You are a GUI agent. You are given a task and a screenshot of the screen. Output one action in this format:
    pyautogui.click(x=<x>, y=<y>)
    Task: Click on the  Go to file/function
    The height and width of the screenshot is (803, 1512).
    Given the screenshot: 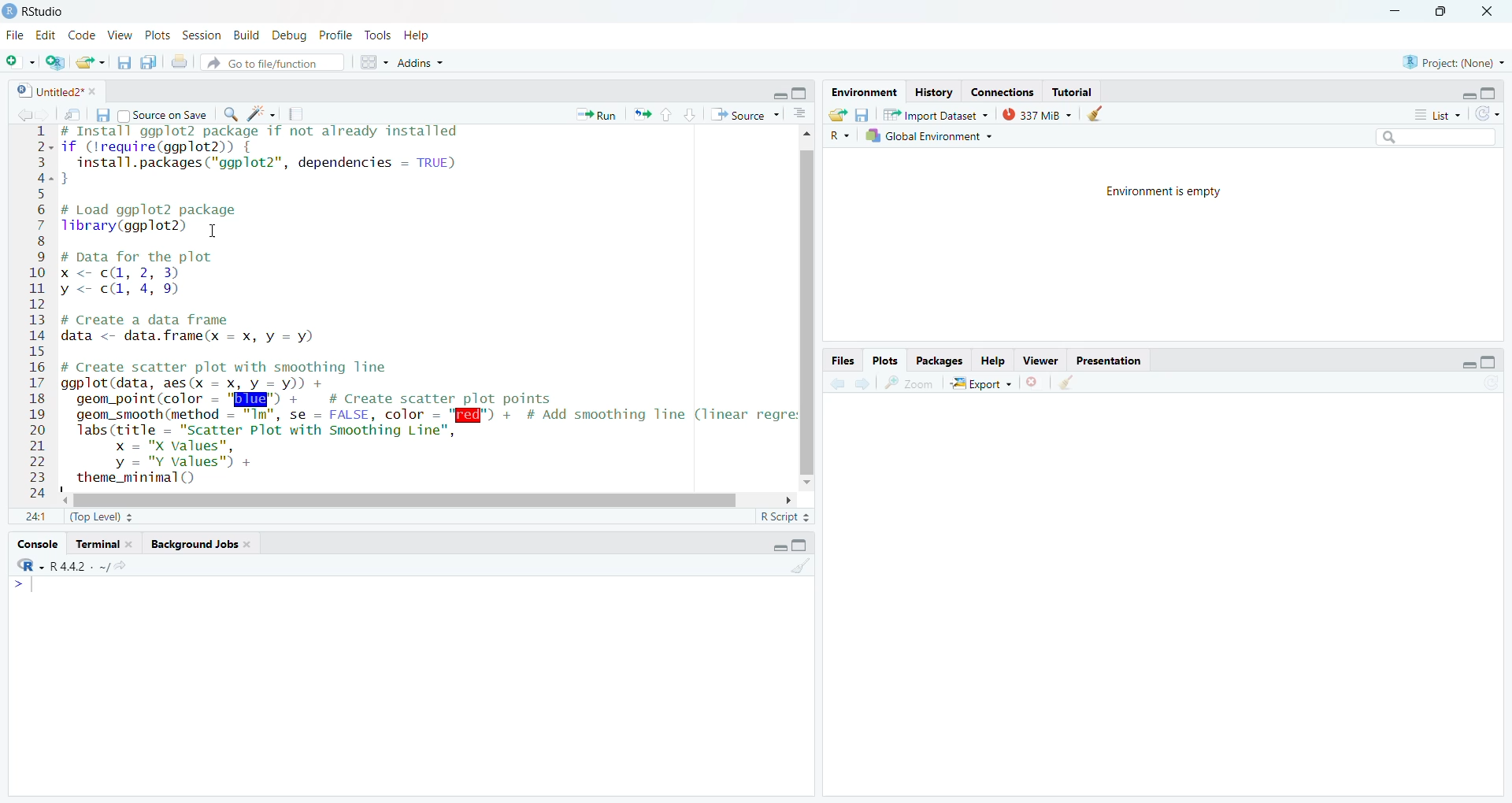 What is the action you would take?
    pyautogui.click(x=270, y=62)
    